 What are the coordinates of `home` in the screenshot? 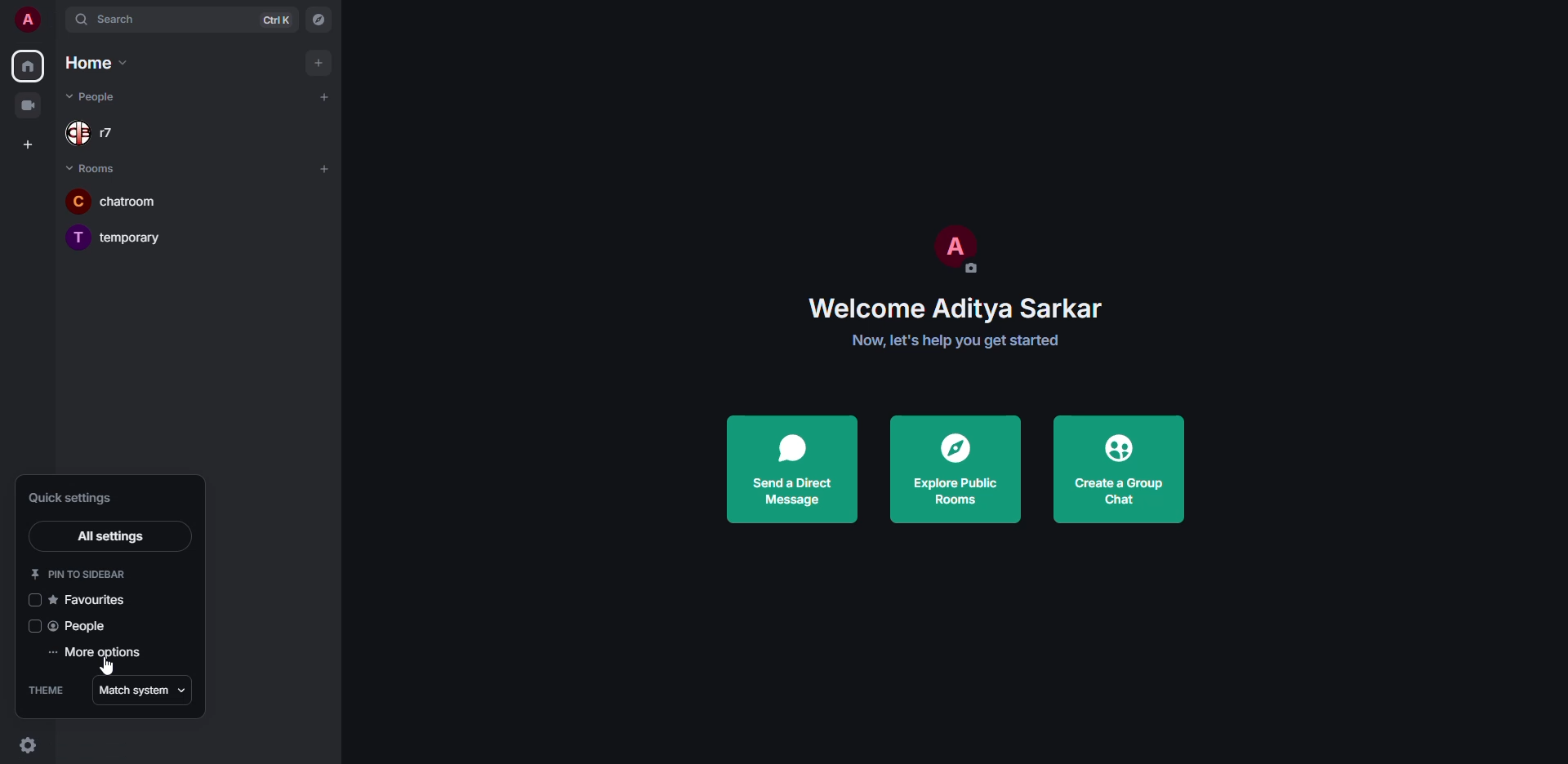 It's located at (94, 64).